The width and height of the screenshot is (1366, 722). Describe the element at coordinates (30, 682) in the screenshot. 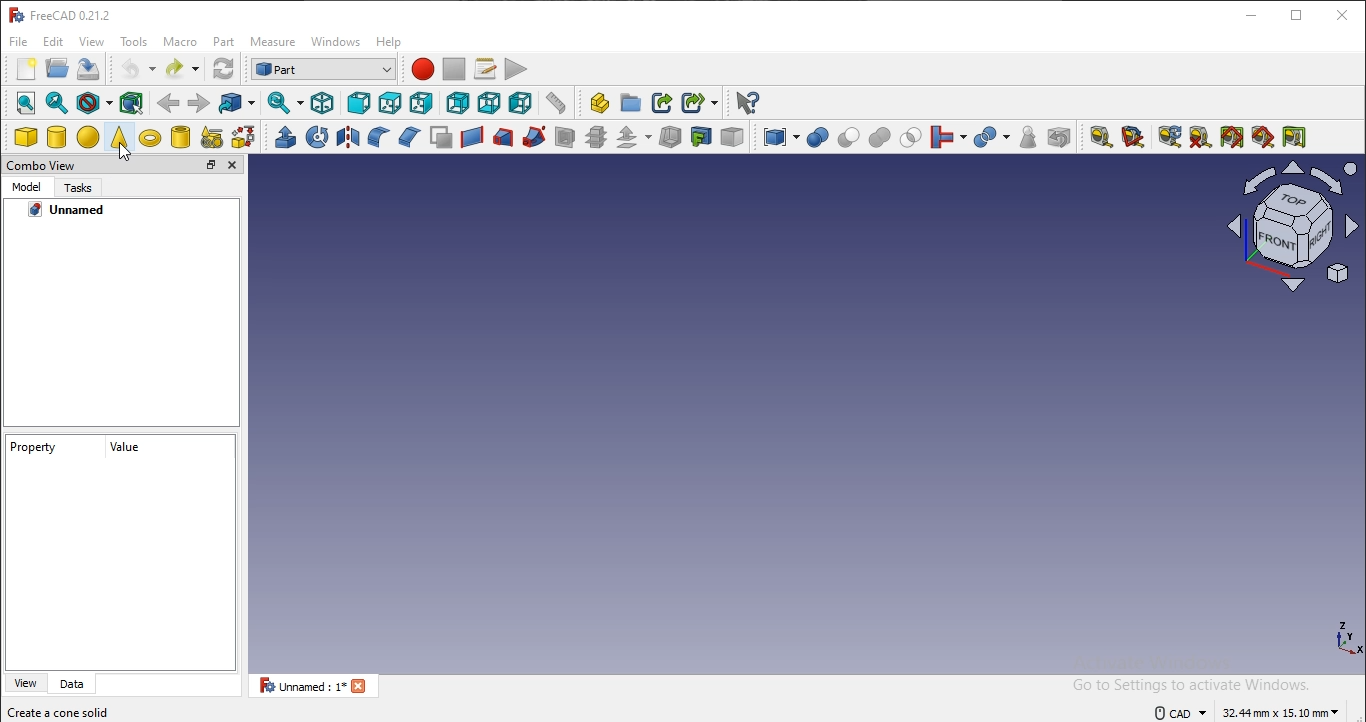

I see `view` at that location.